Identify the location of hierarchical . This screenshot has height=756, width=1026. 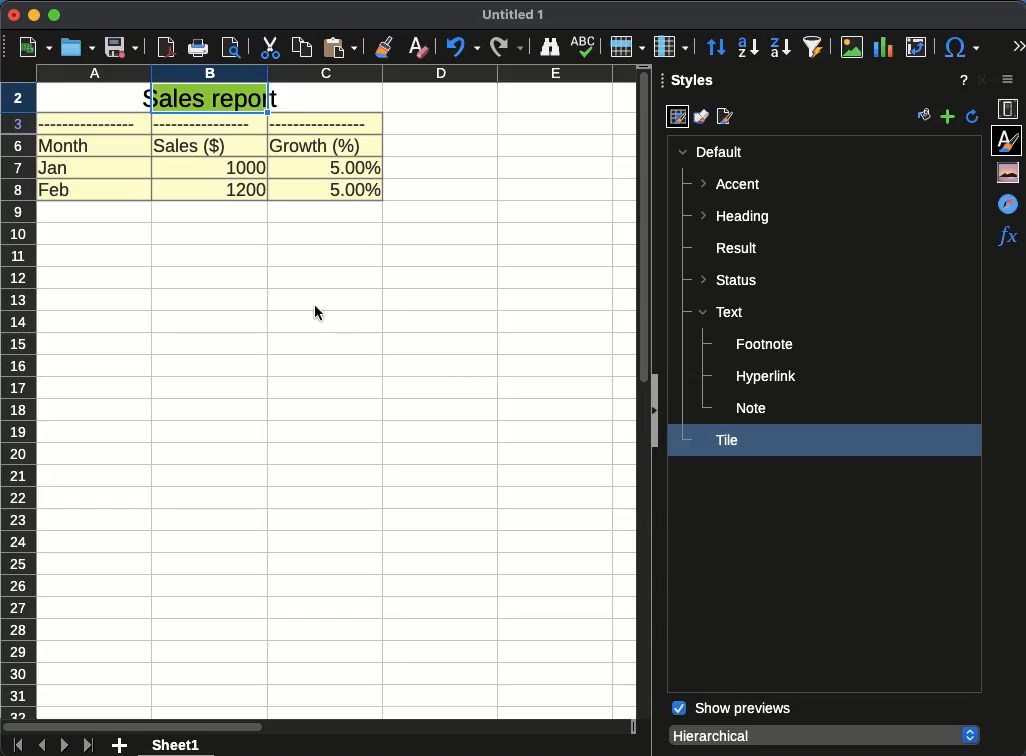
(823, 734).